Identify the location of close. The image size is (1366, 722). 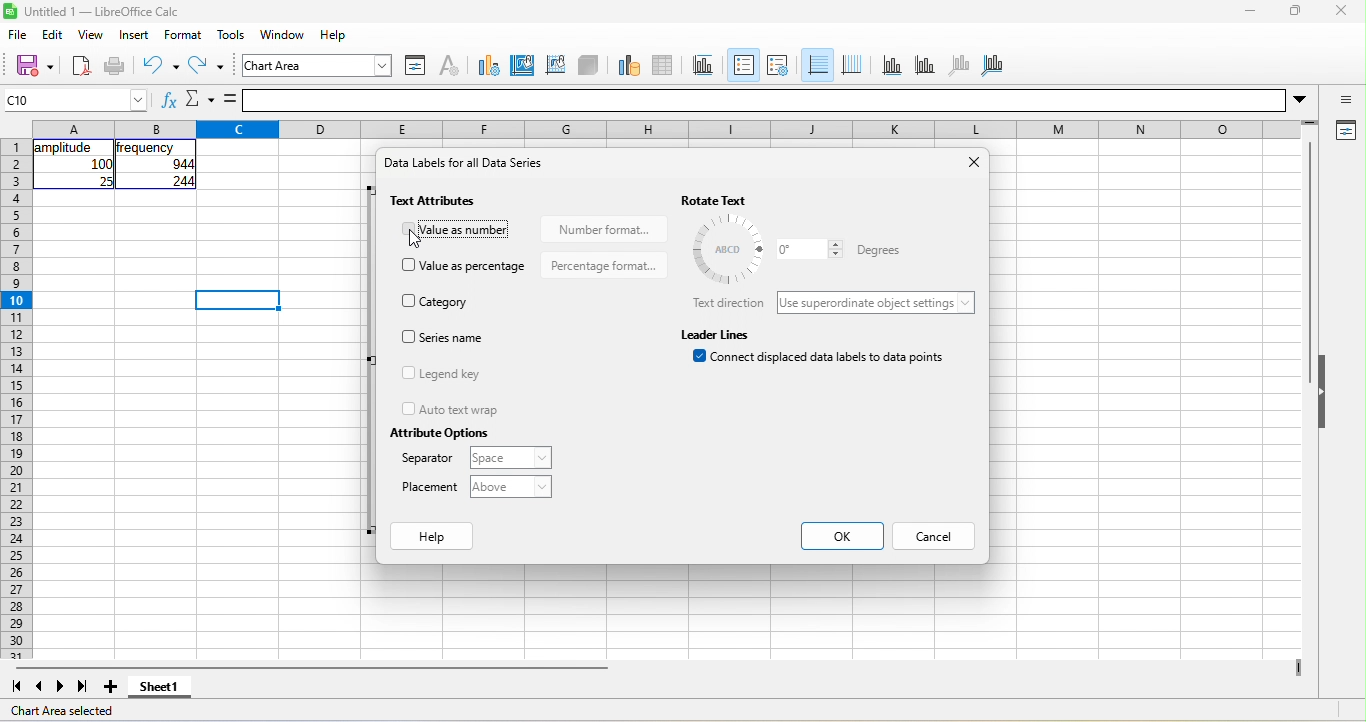
(971, 164).